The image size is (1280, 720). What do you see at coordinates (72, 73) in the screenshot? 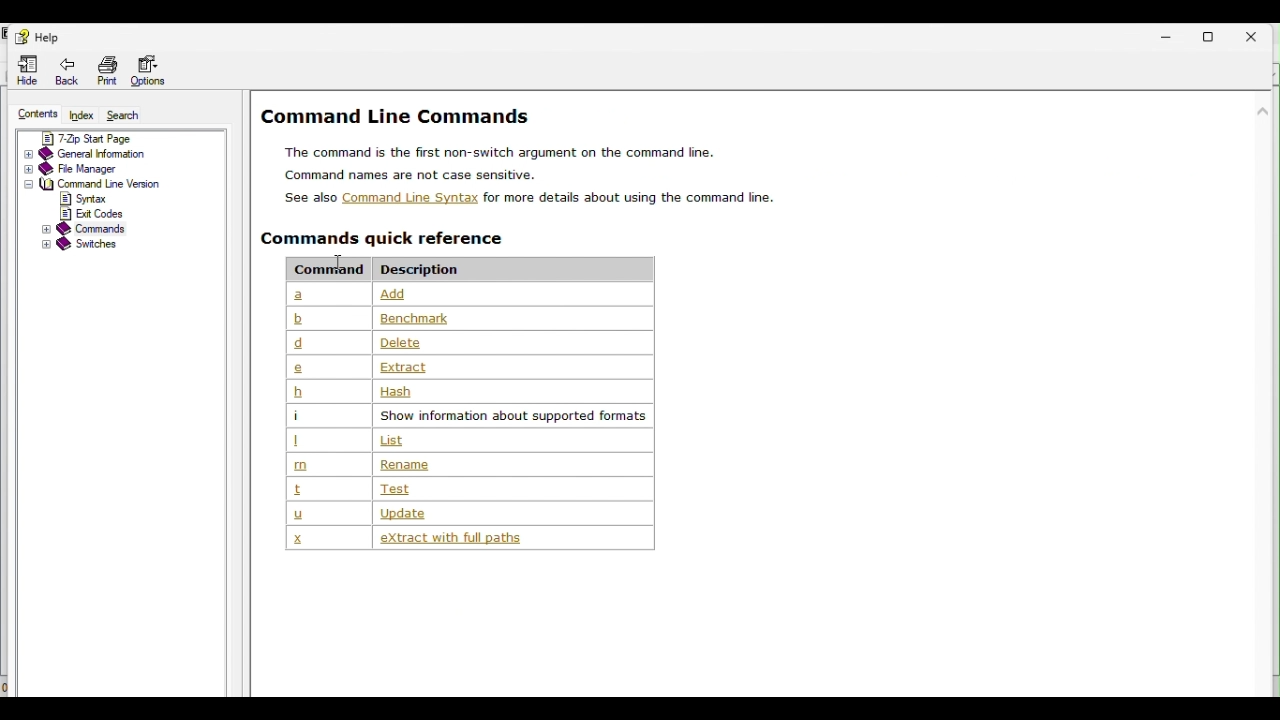
I see `back` at bounding box center [72, 73].